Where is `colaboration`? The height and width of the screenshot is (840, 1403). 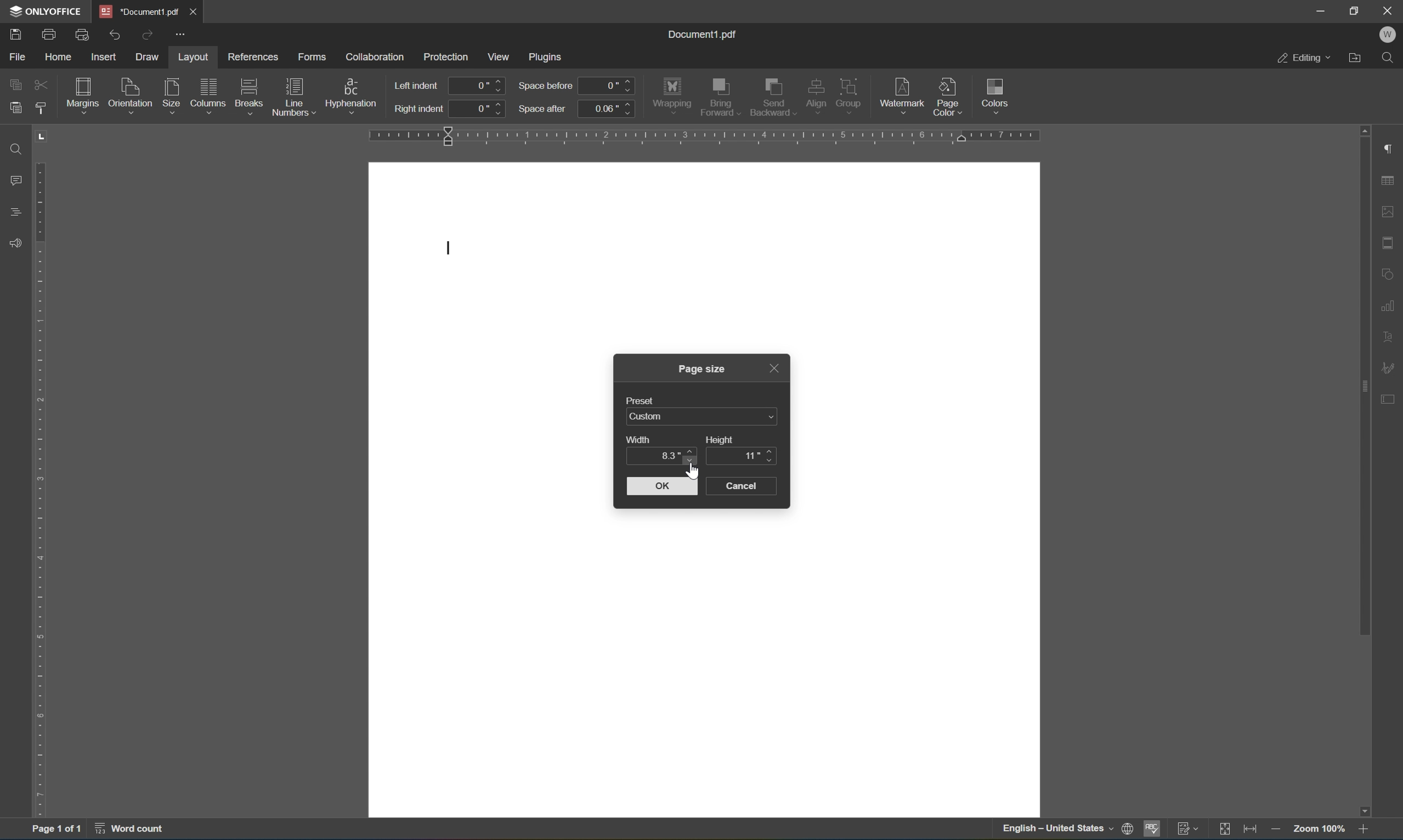
colaboration is located at coordinates (375, 55).